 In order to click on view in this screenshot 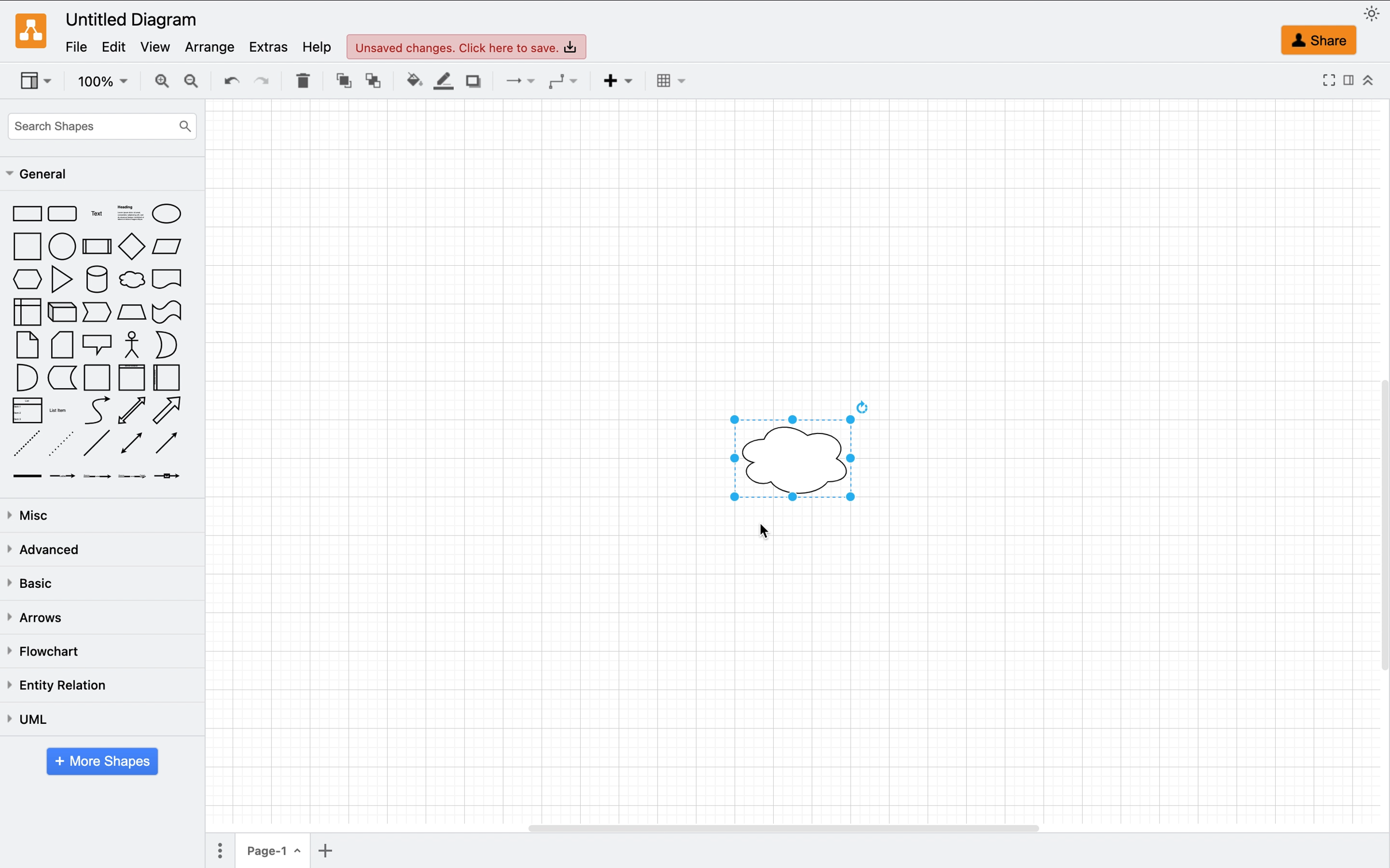, I will do `click(160, 47)`.